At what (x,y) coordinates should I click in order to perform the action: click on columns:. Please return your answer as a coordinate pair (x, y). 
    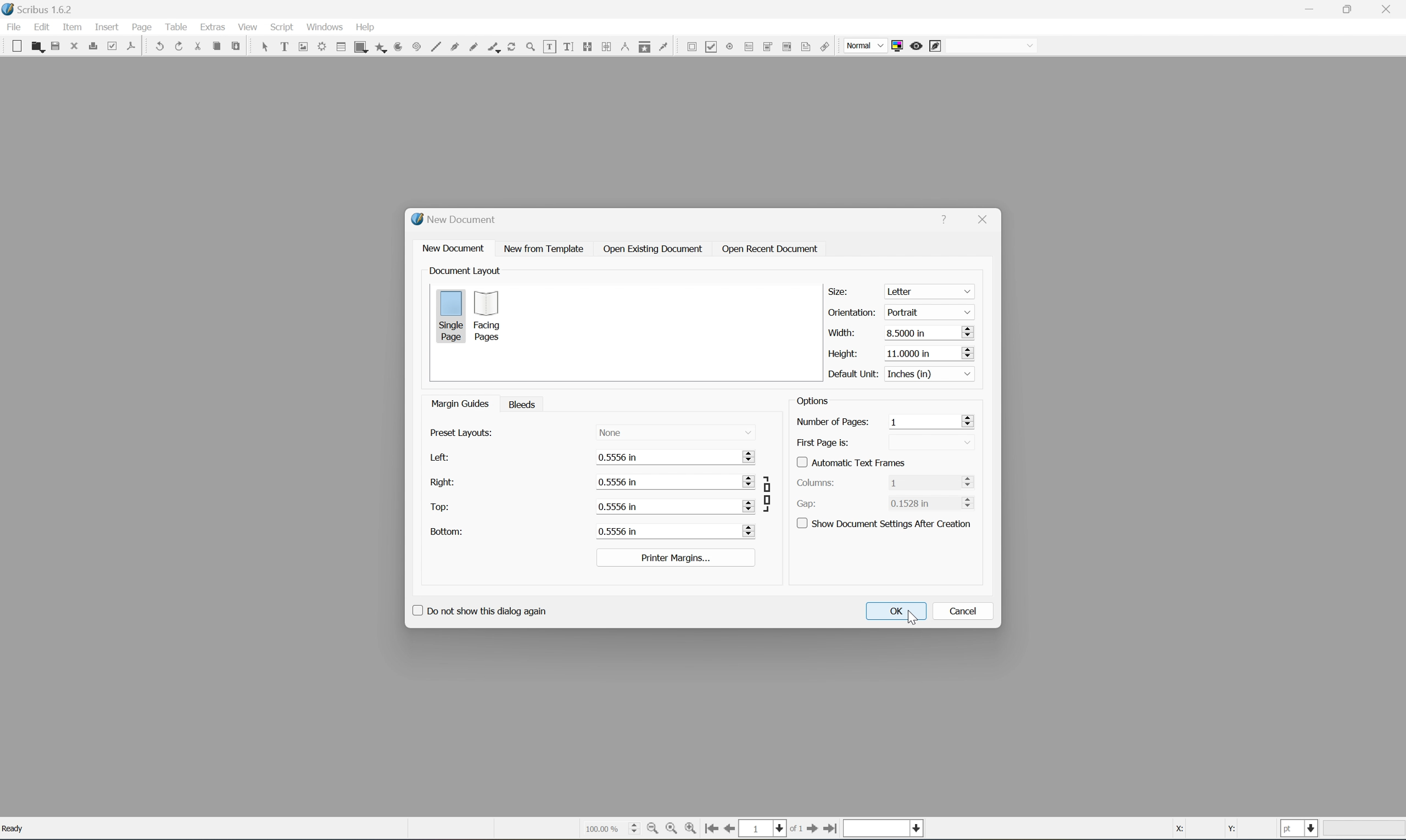
    Looking at the image, I should click on (817, 483).